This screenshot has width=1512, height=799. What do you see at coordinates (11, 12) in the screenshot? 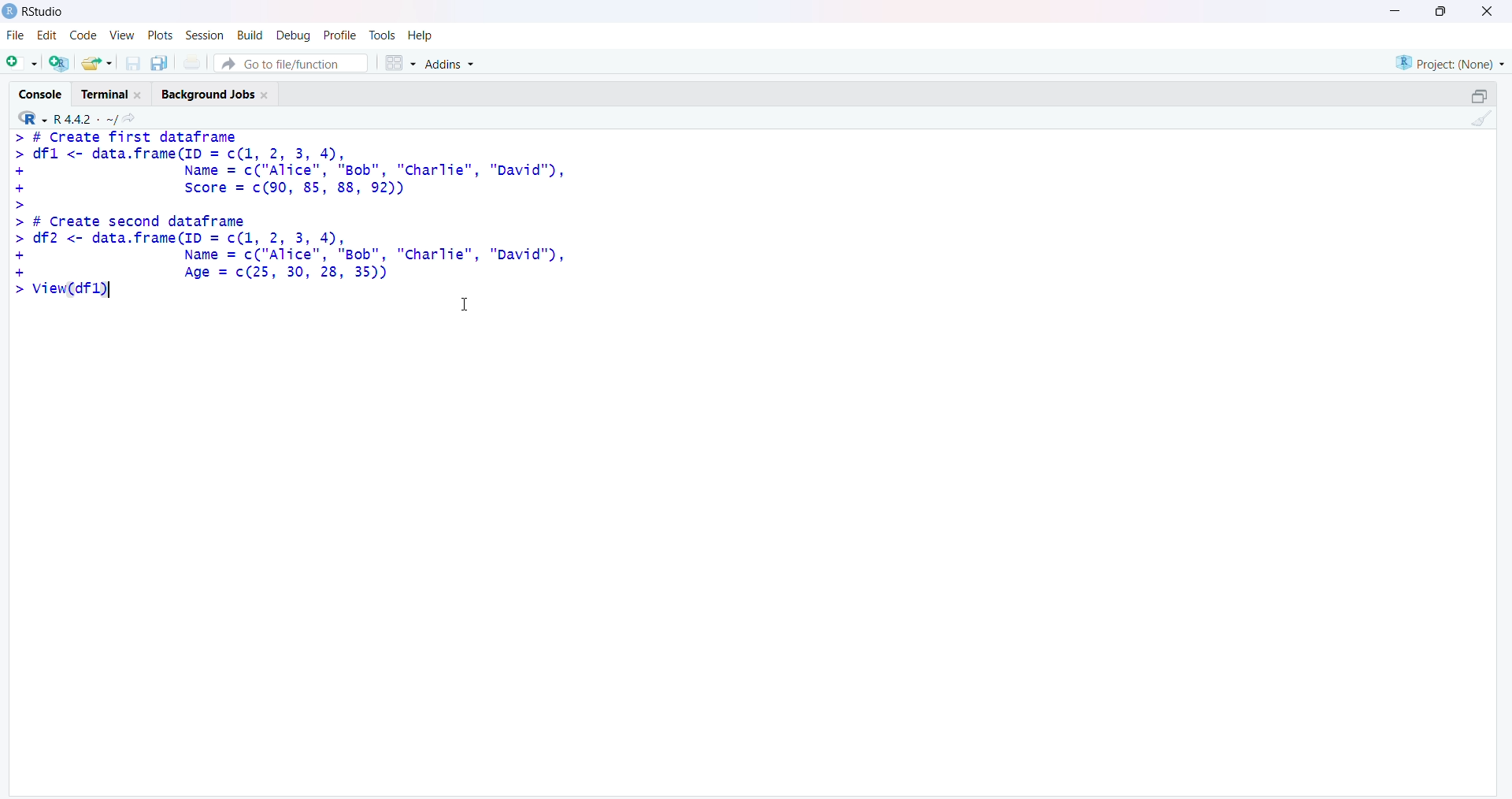
I see `logo` at bounding box center [11, 12].